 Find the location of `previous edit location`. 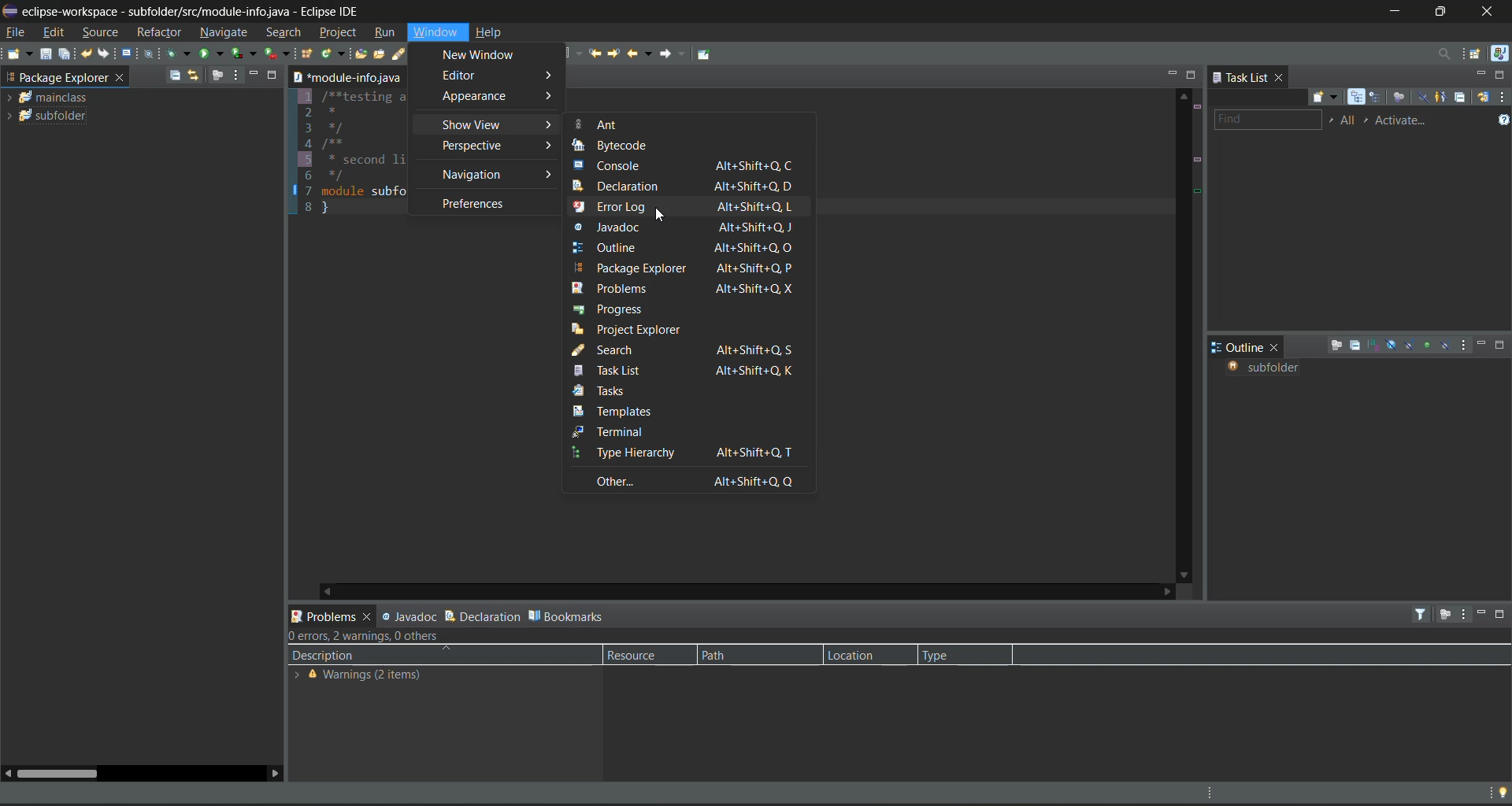

previous edit location is located at coordinates (594, 54).